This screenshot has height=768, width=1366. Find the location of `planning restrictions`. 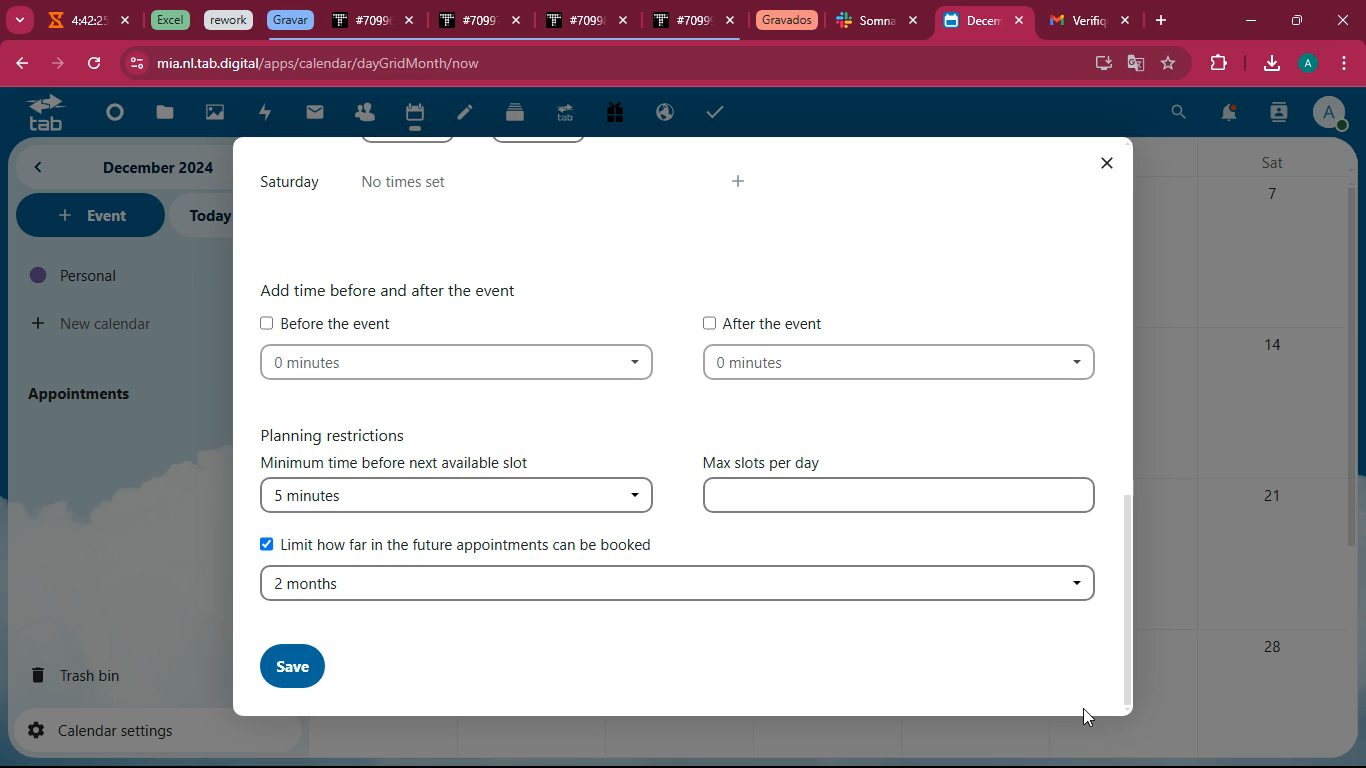

planning restrictions is located at coordinates (345, 433).